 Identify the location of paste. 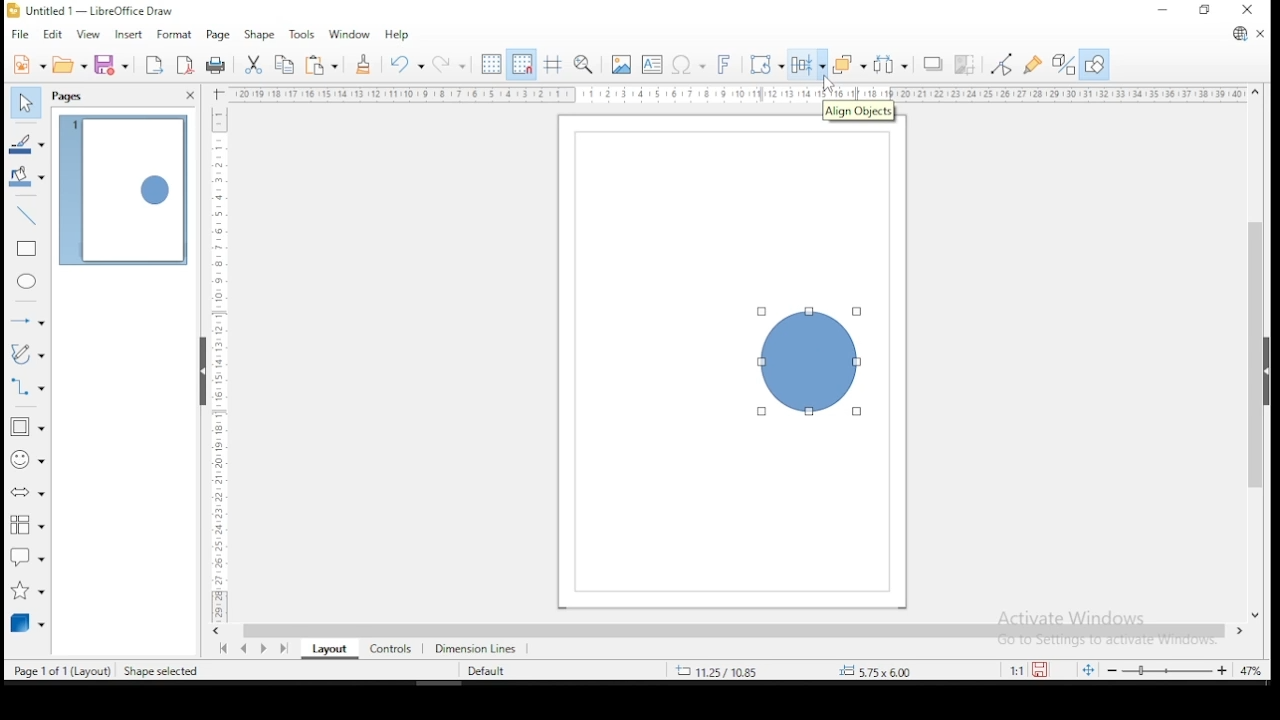
(324, 65).